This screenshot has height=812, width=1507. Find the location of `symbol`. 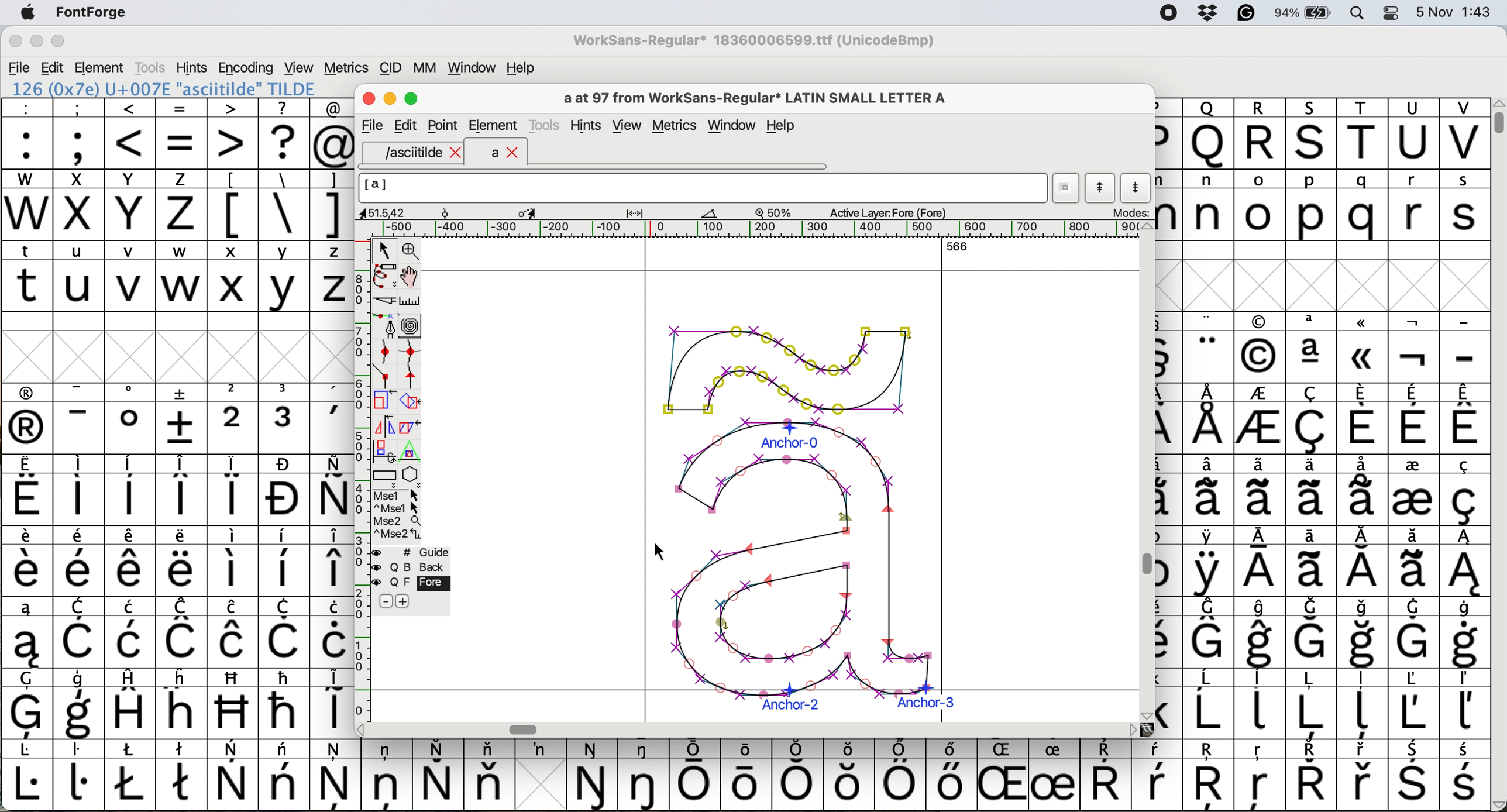

symbol is located at coordinates (132, 562).